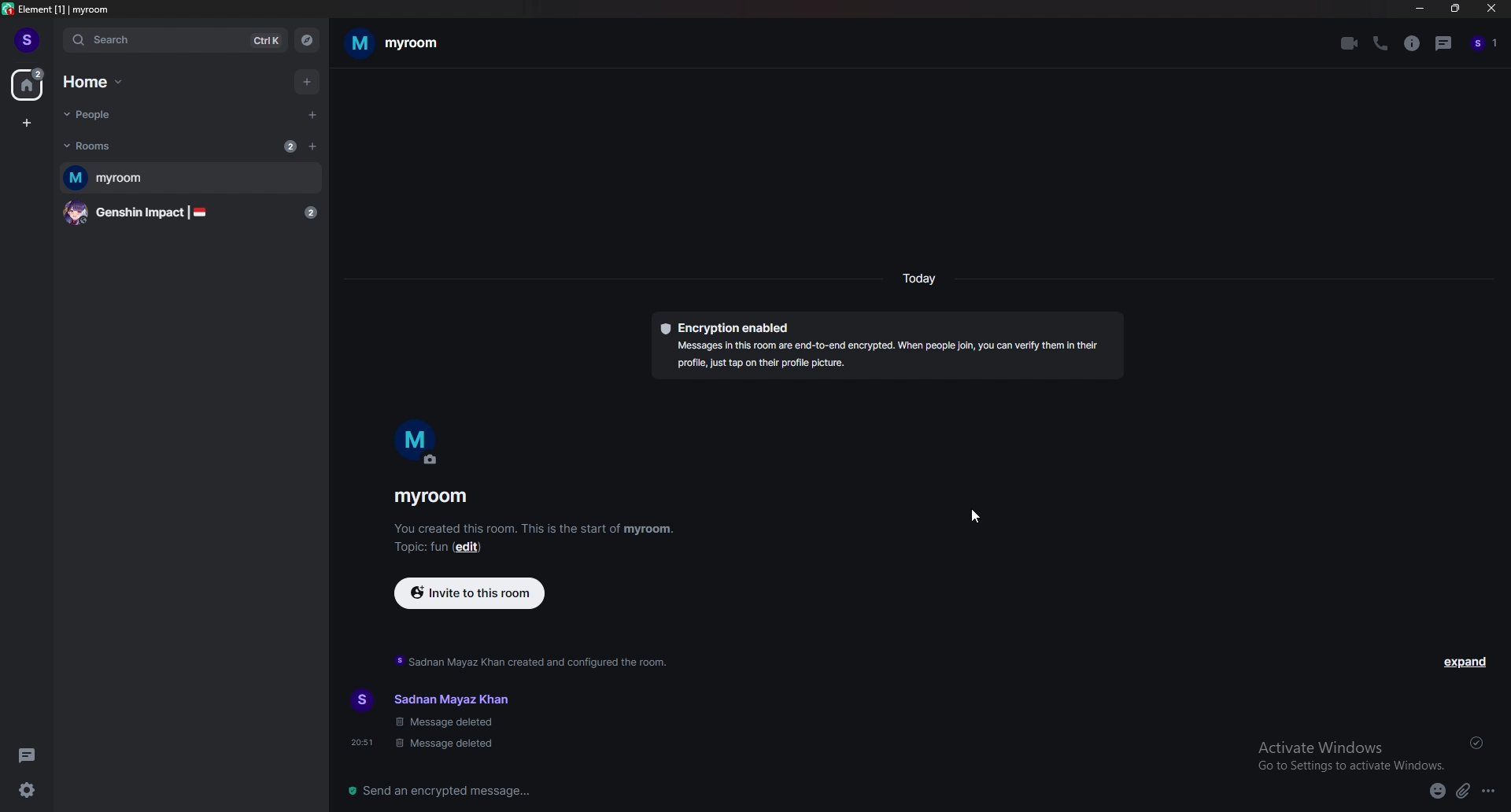 This screenshot has height=812, width=1511. I want to click on close, so click(1488, 9).